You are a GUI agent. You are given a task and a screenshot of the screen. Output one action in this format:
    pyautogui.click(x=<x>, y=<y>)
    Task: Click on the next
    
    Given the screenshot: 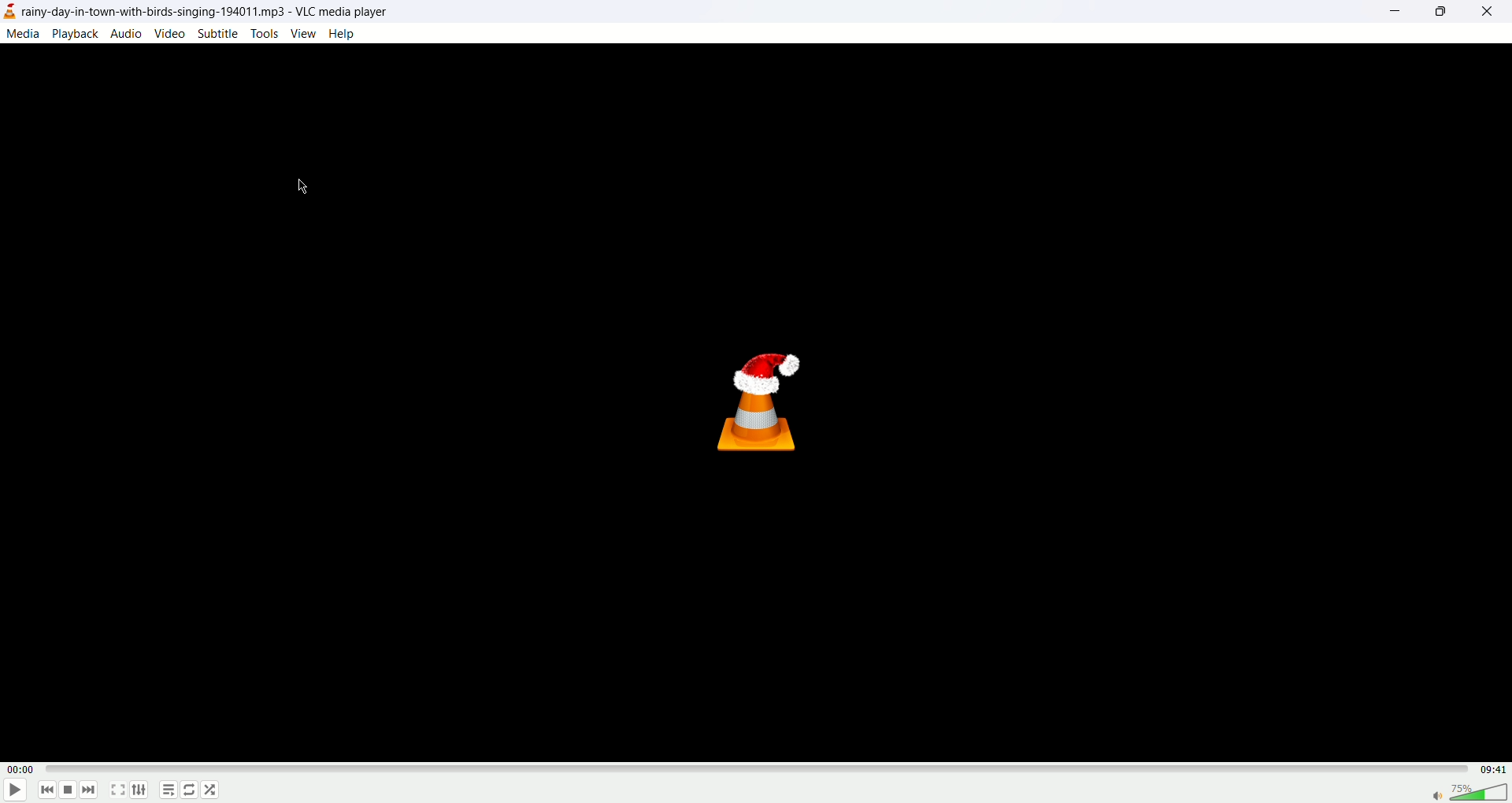 What is the action you would take?
    pyautogui.click(x=91, y=790)
    